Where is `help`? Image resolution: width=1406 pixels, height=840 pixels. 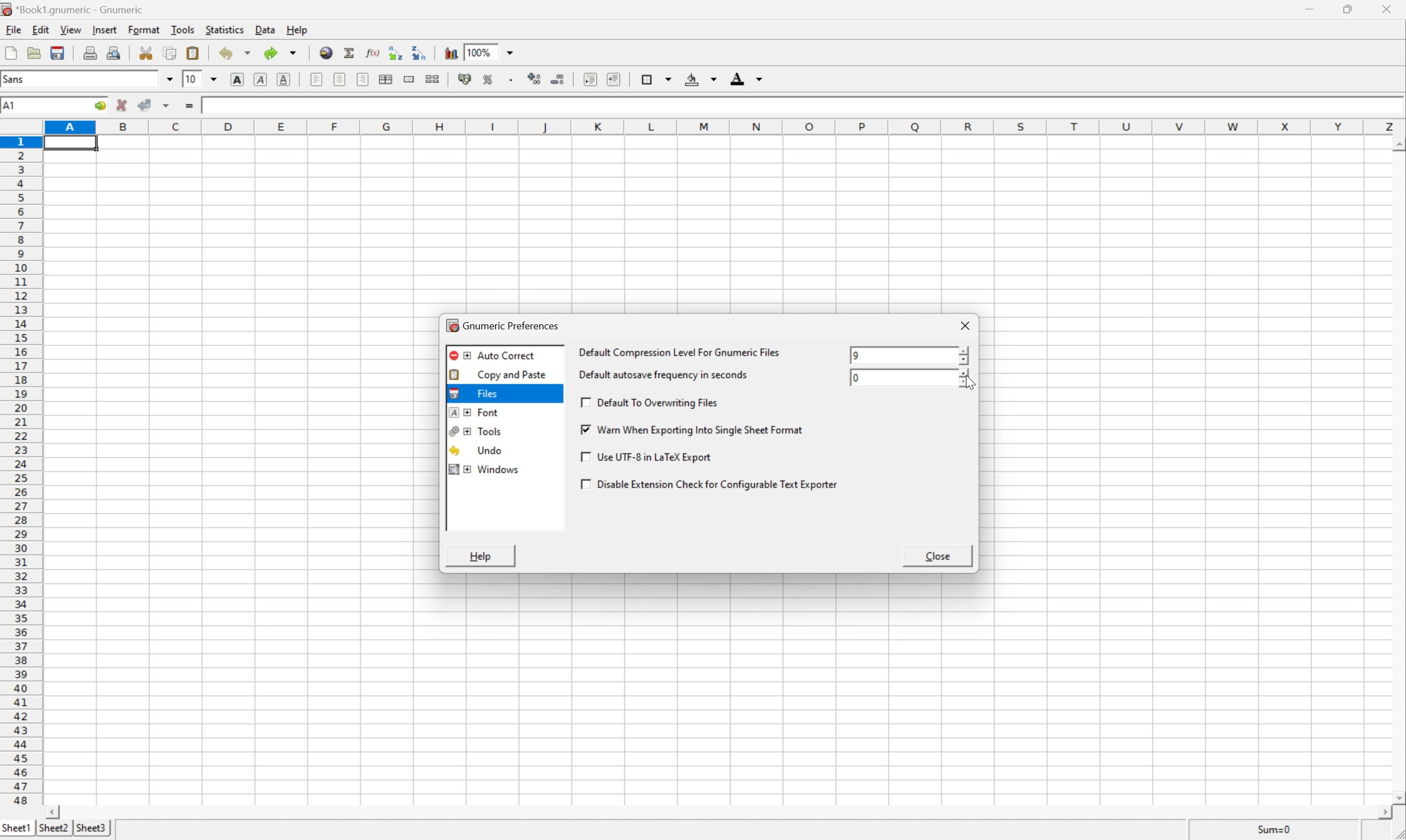 help is located at coordinates (481, 557).